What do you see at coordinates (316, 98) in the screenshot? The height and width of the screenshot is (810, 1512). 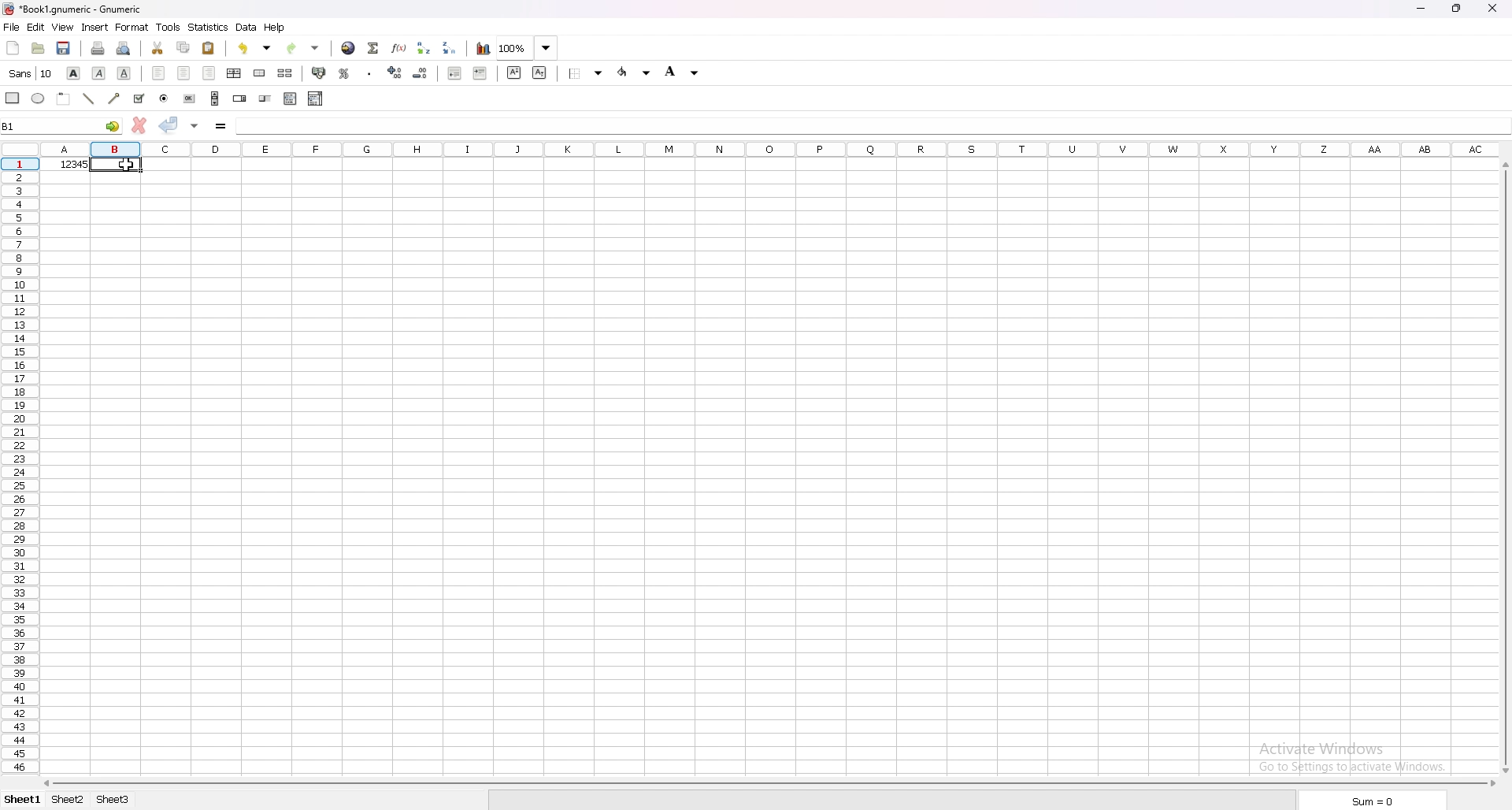 I see `combo box` at bounding box center [316, 98].